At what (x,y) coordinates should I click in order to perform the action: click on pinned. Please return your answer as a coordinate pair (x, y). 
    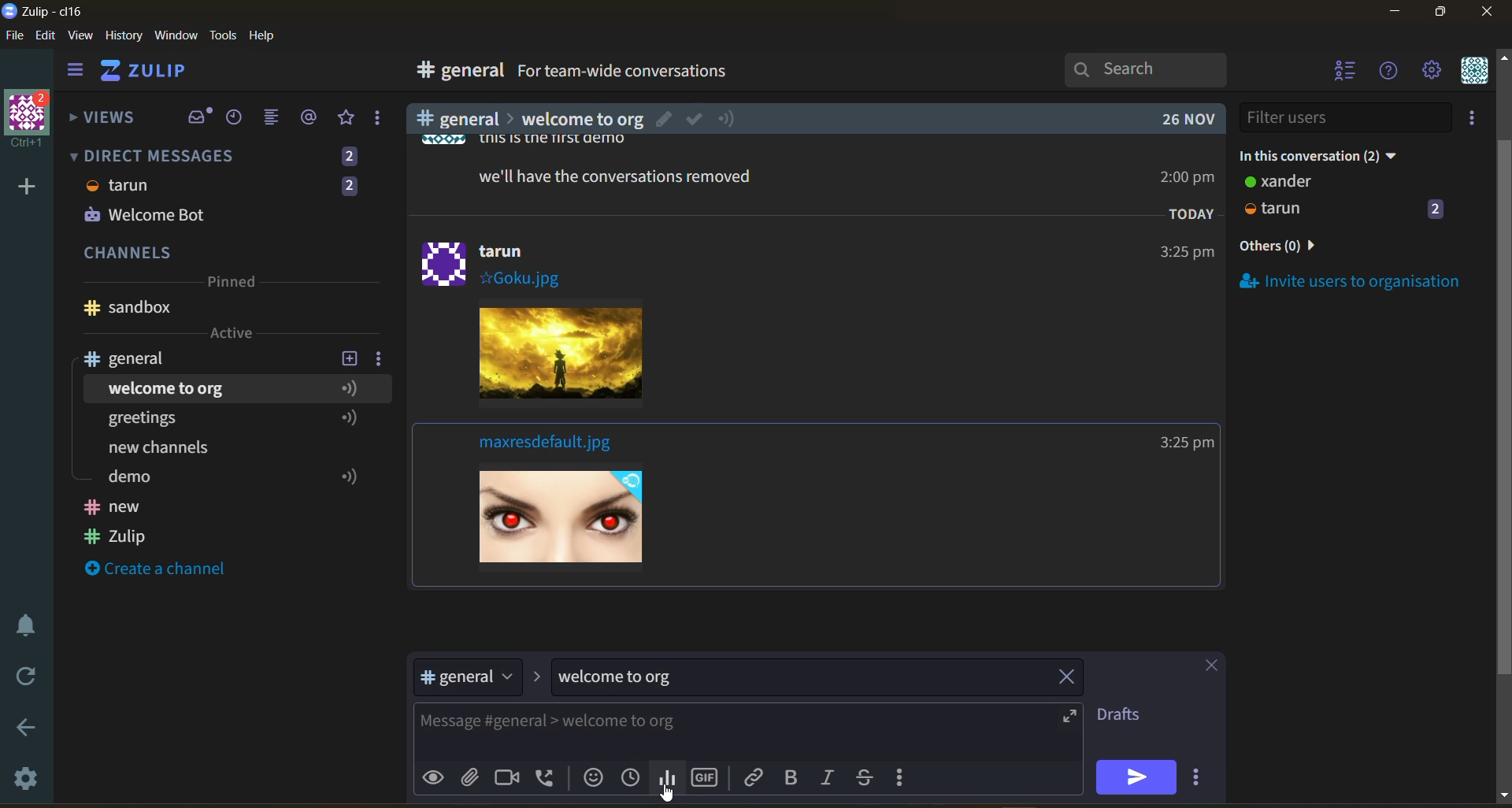
    Looking at the image, I should click on (230, 284).